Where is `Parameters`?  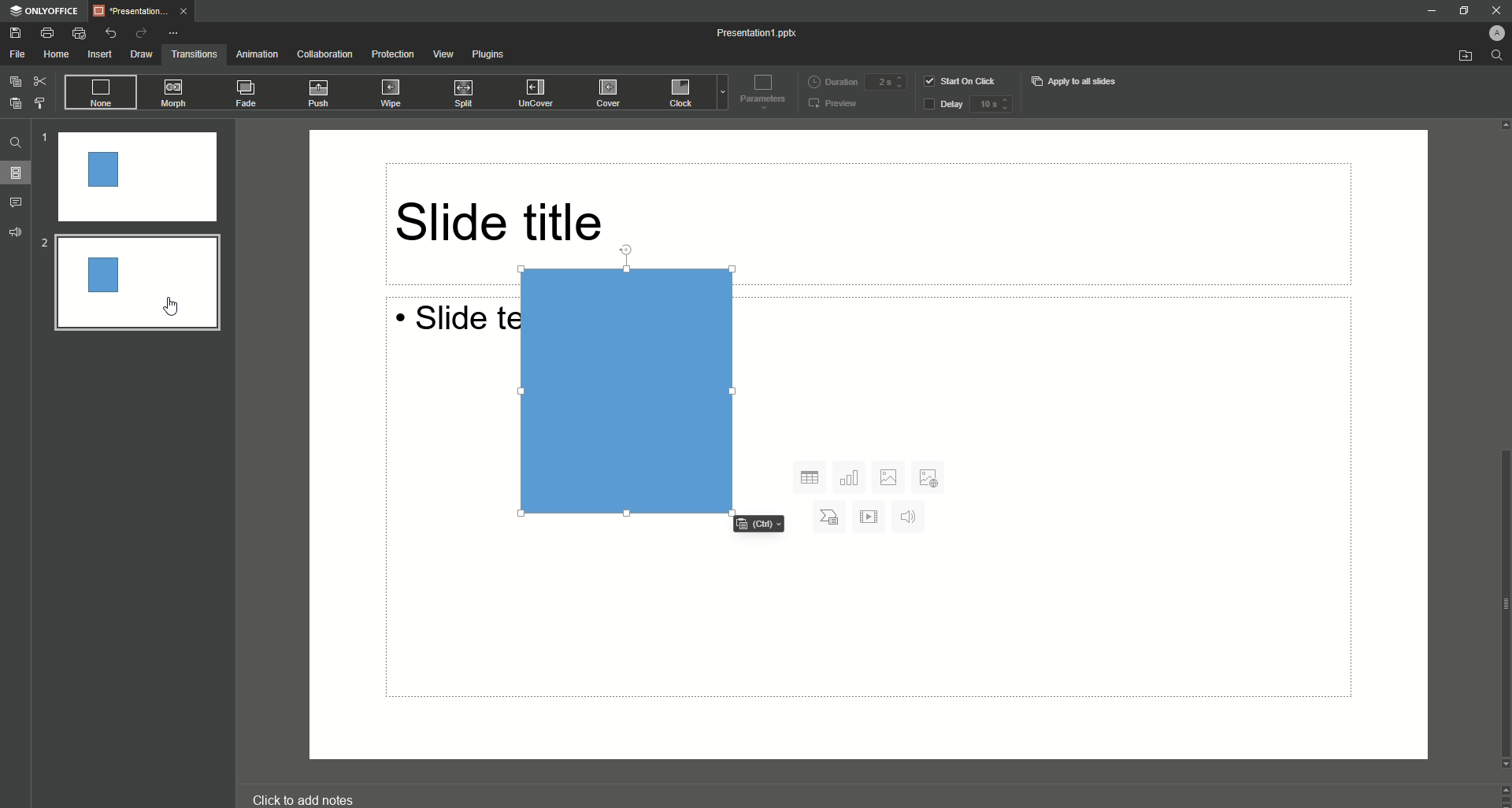 Parameters is located at coordinates (761, 95).